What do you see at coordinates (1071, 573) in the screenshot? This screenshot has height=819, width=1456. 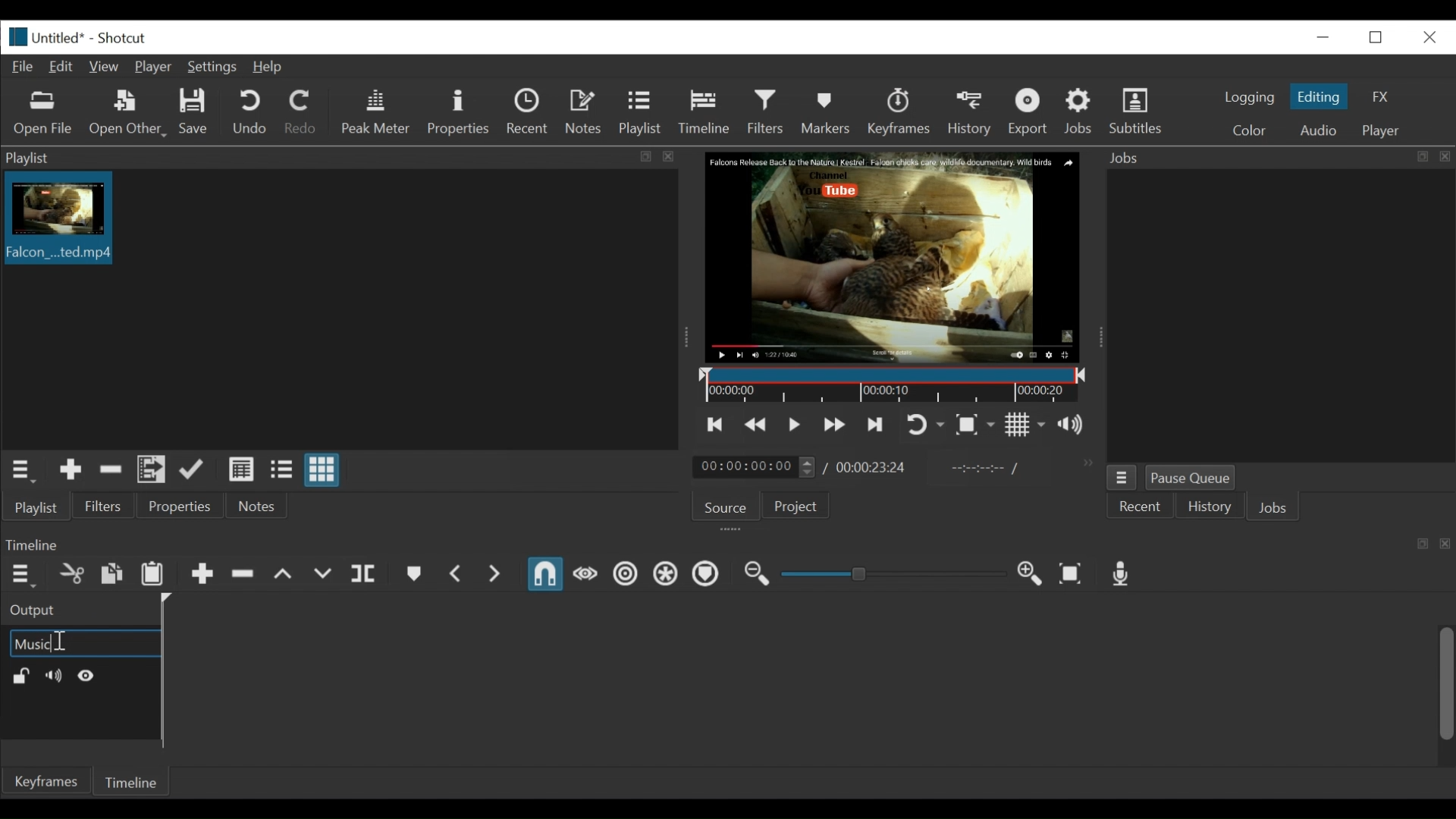 I see `Zoom Timeline to fit` at bounding box center [1071, 573].